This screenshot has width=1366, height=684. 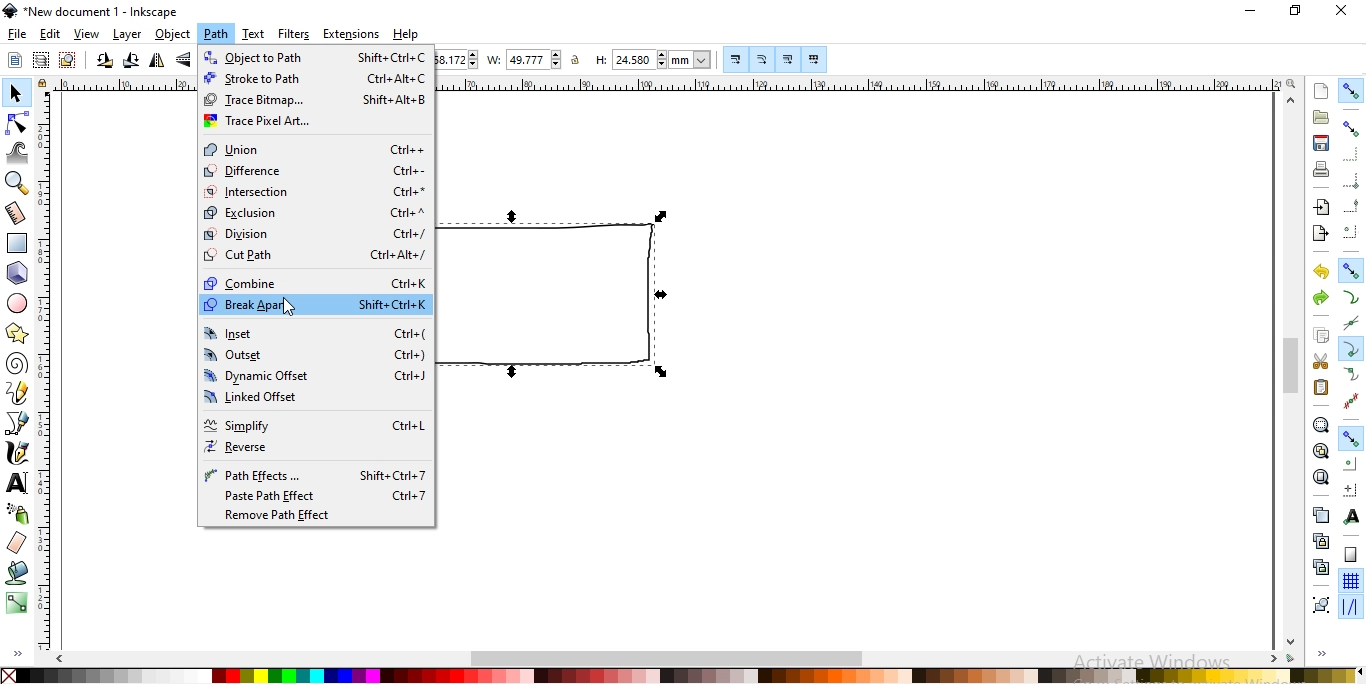 What do you see at coordinates (18, 304) in the screenshot?
I see `create circles, ellipses andarcs` at bounding box center [18, 304].